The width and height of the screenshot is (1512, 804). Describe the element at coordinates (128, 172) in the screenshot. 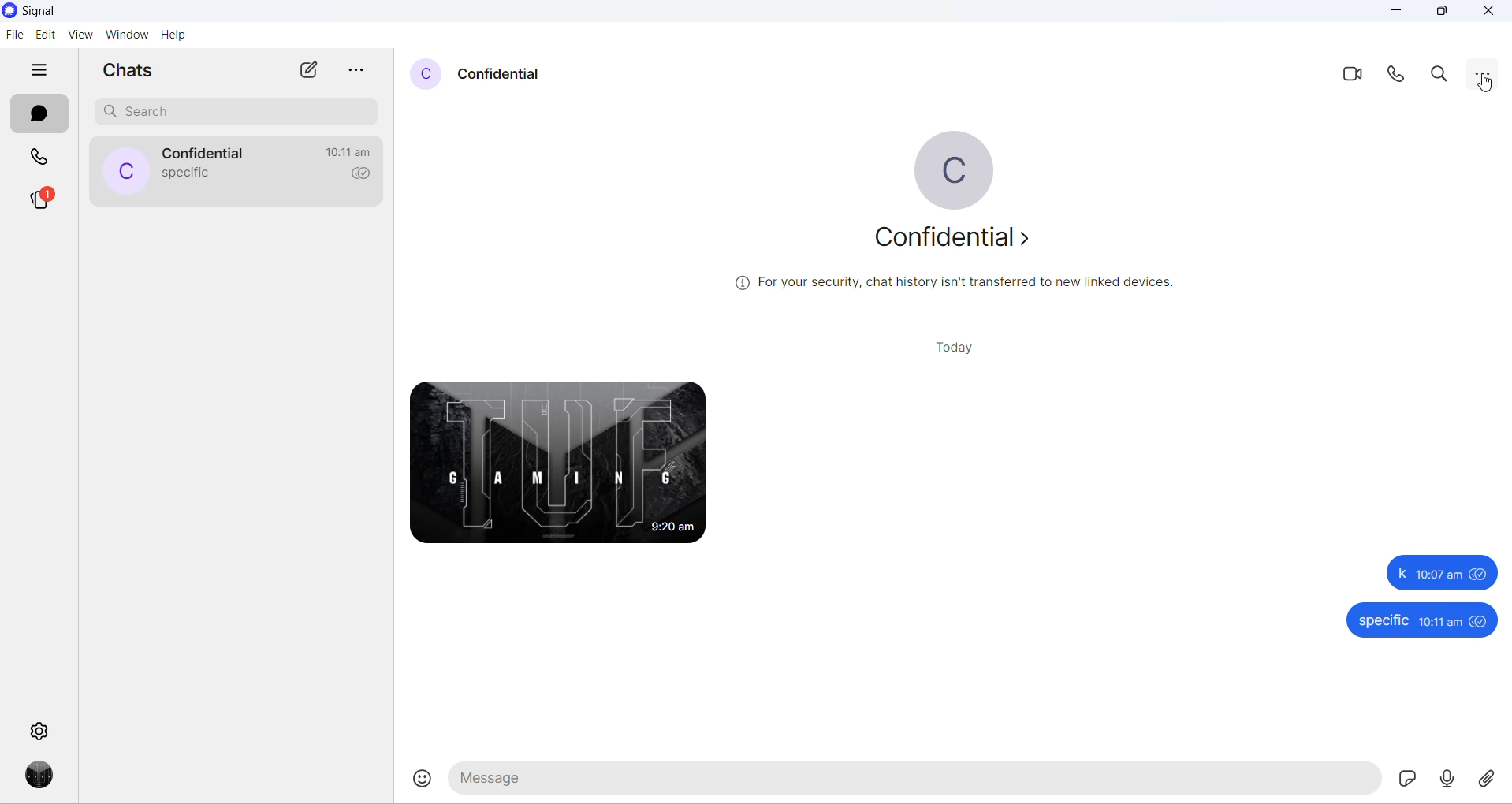

I see `profile picture` at that location.